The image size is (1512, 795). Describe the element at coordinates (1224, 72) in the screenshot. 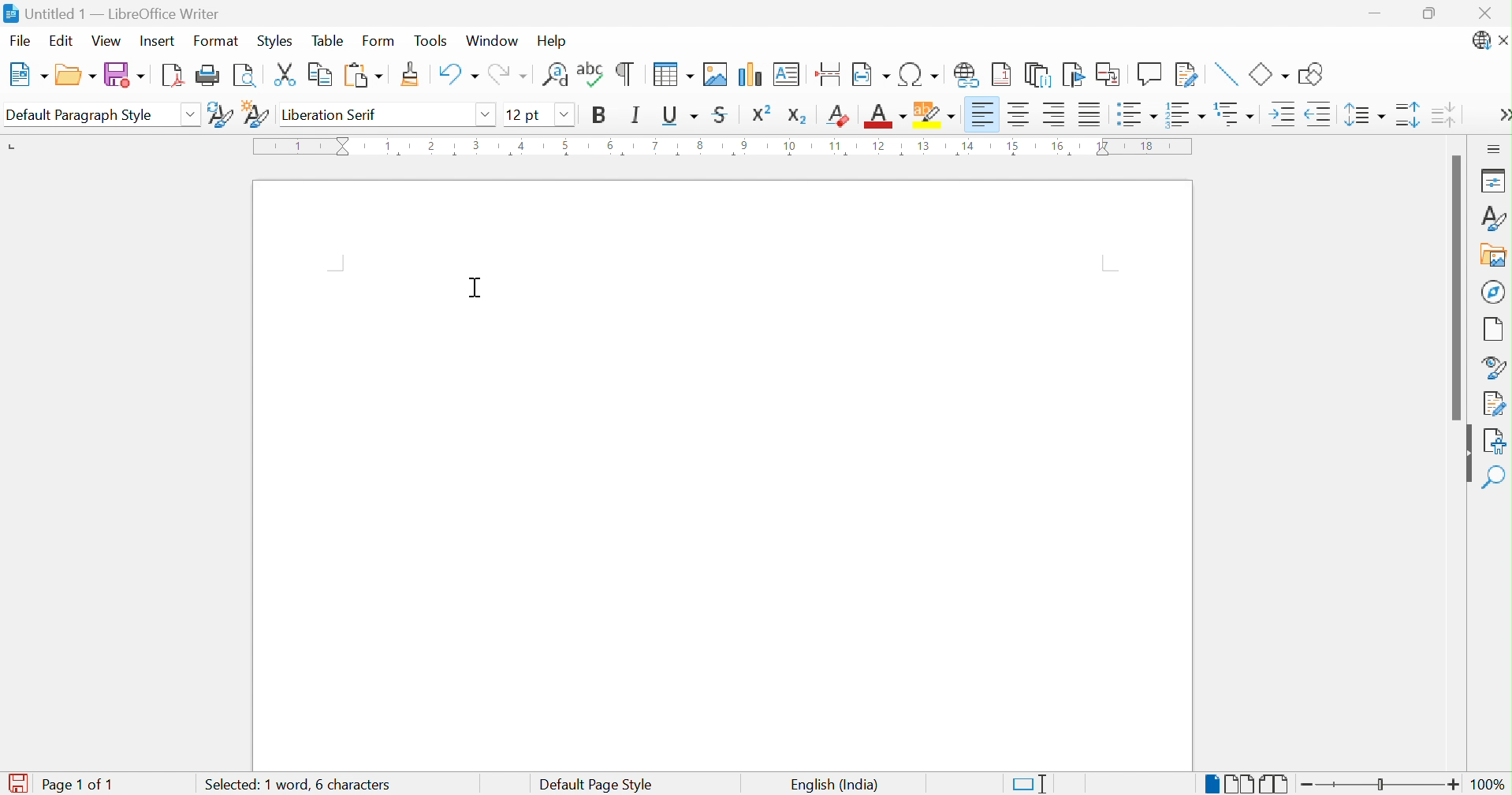

I see `Insert Line` at that location.